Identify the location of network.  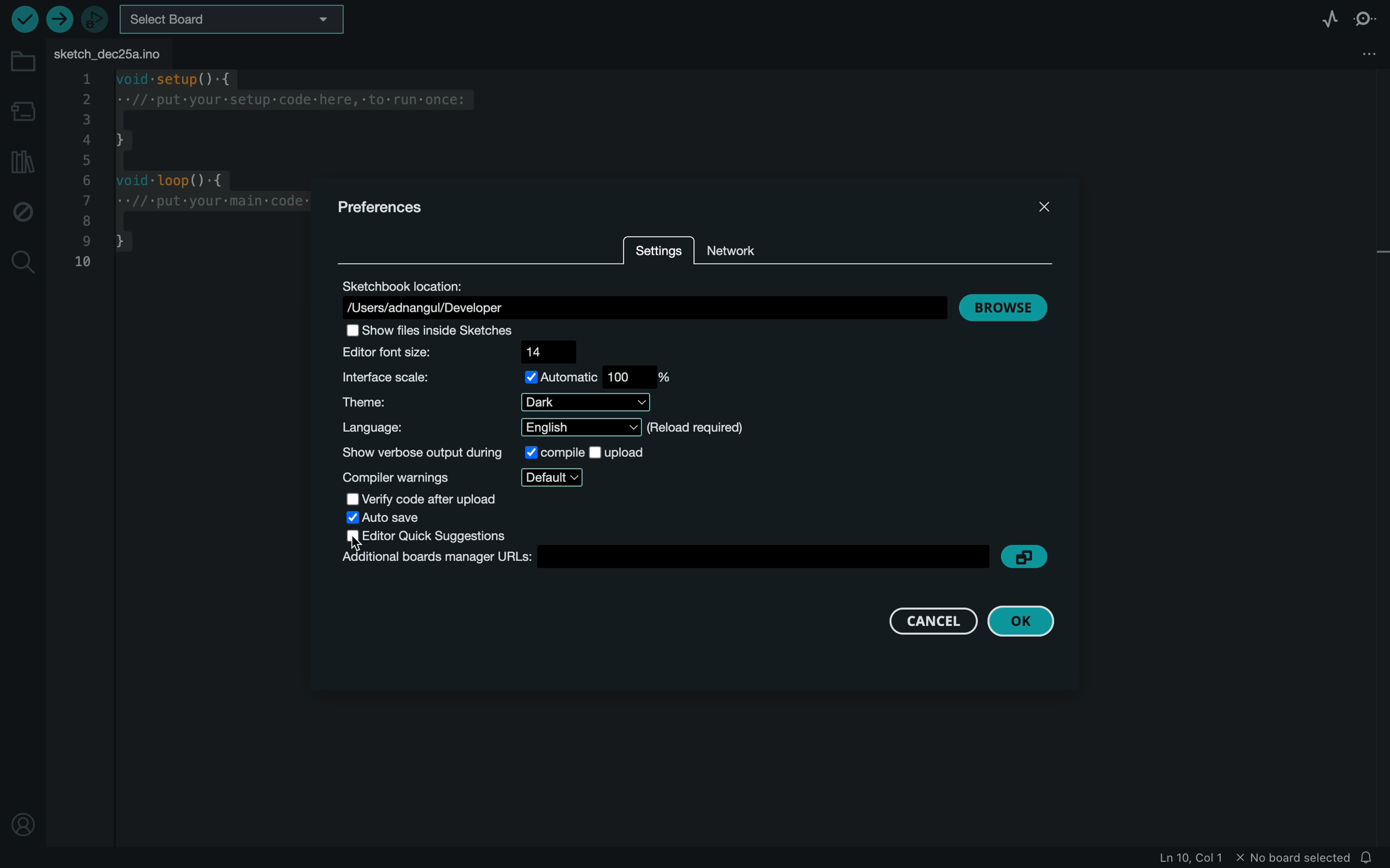
(737, 246).